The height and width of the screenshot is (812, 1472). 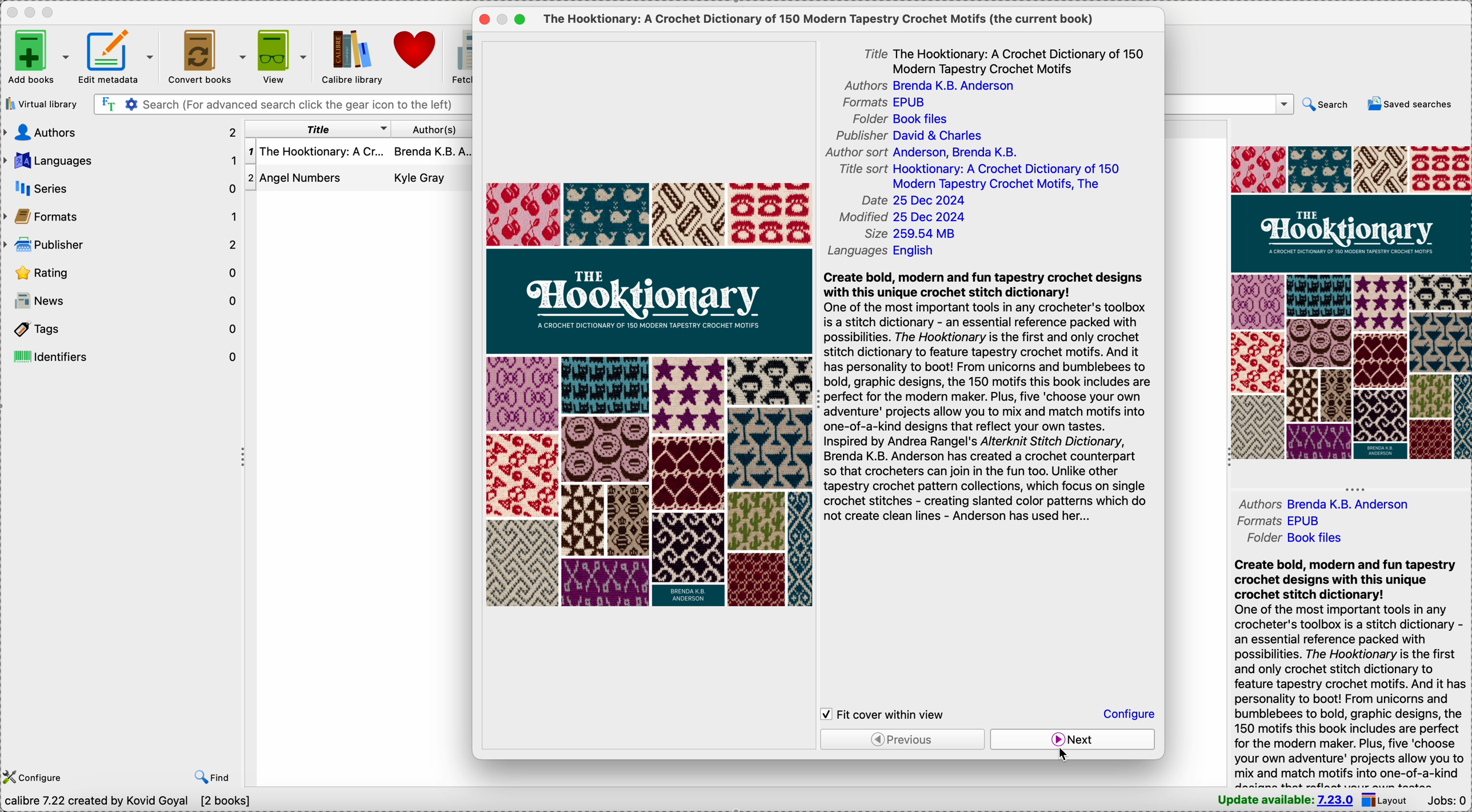 What do you see at coordinates (119, 189) in the screenshot?
I see `series` at bounding box center [119, 189].